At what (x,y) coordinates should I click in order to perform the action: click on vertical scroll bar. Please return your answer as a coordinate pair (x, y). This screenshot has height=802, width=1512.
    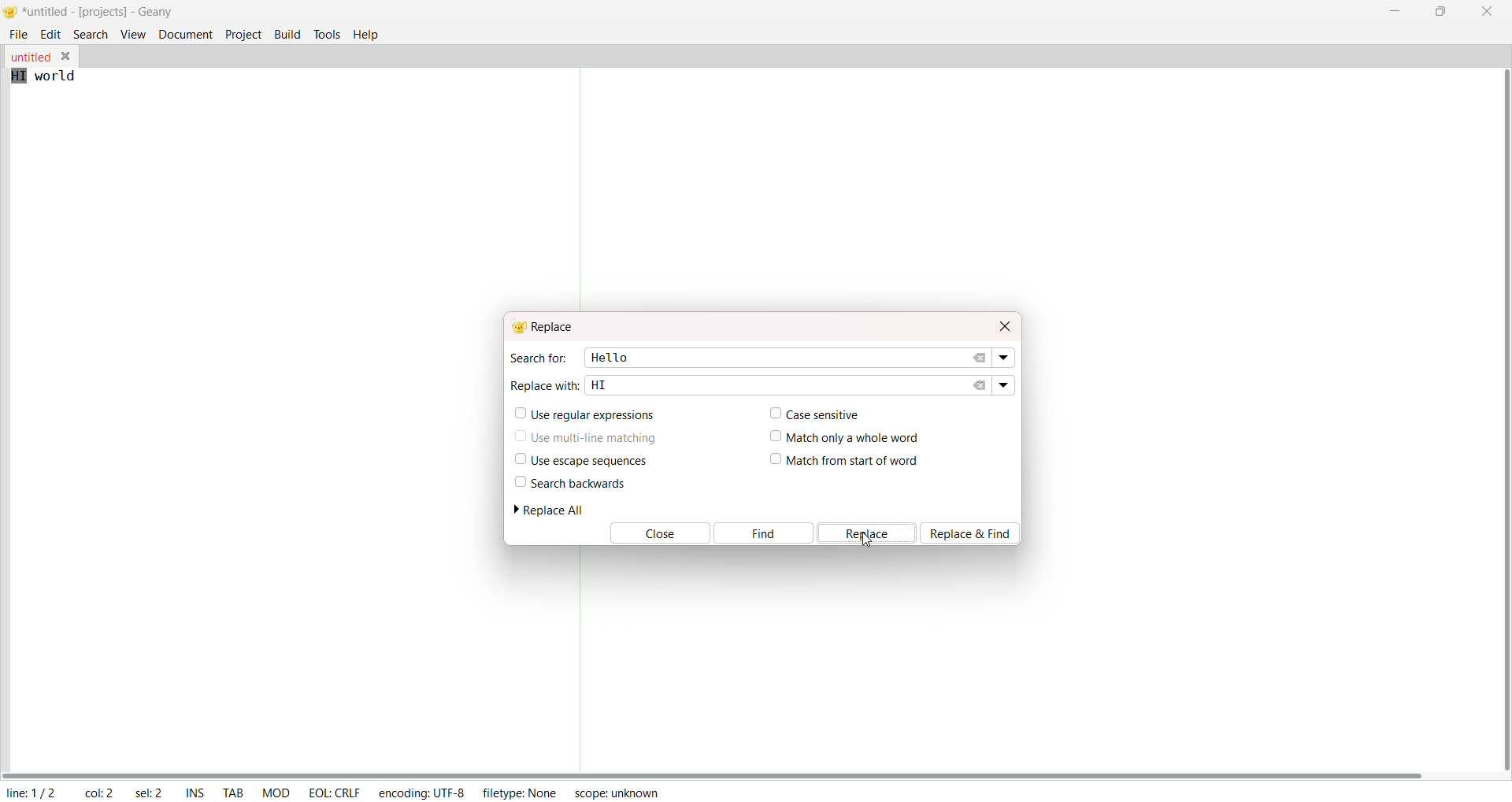
    Looking at the image, I should click on (1501, 420).